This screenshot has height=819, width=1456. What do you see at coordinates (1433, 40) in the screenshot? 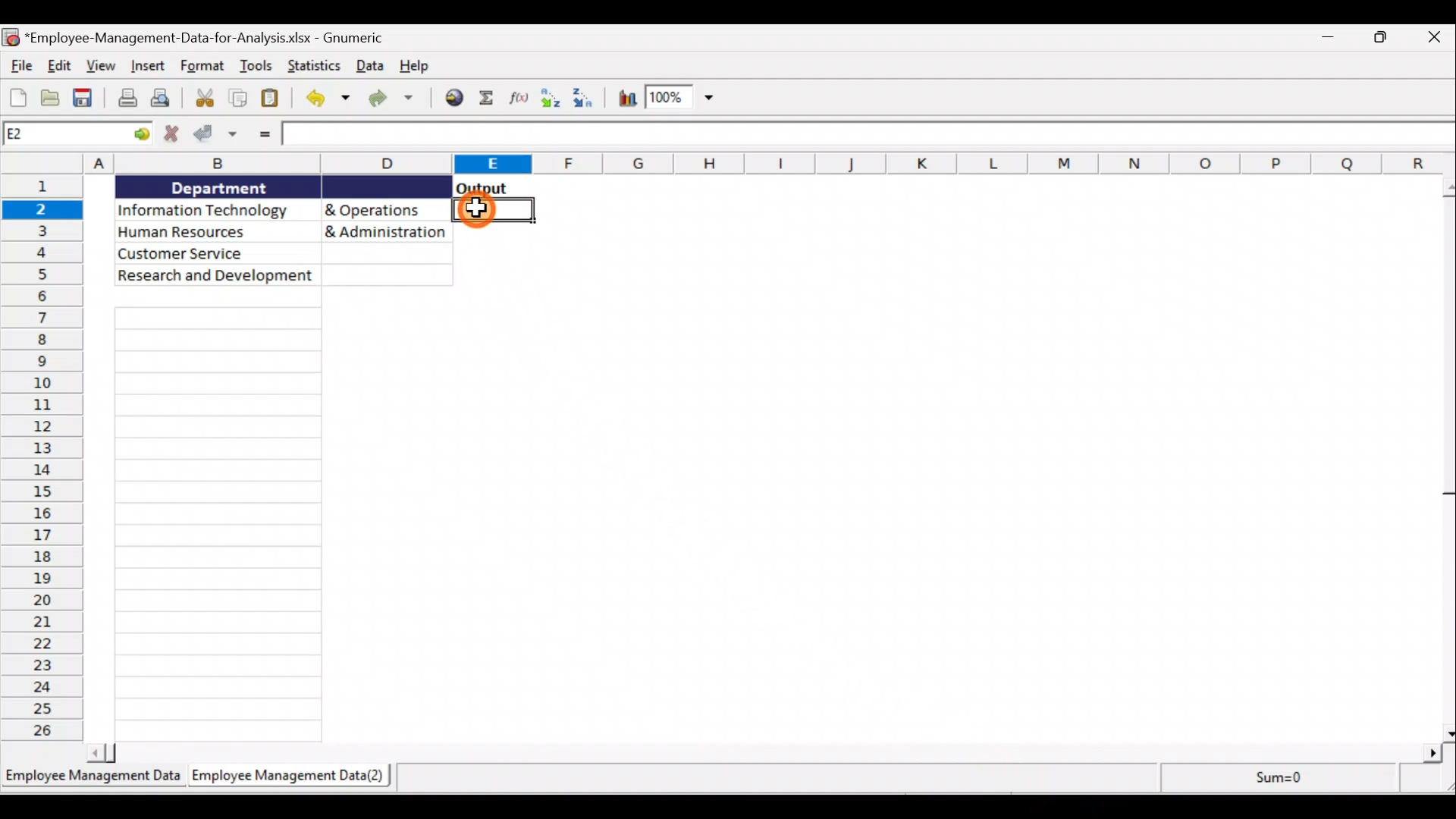
I see `Close` at bounding box center [1433, 40].